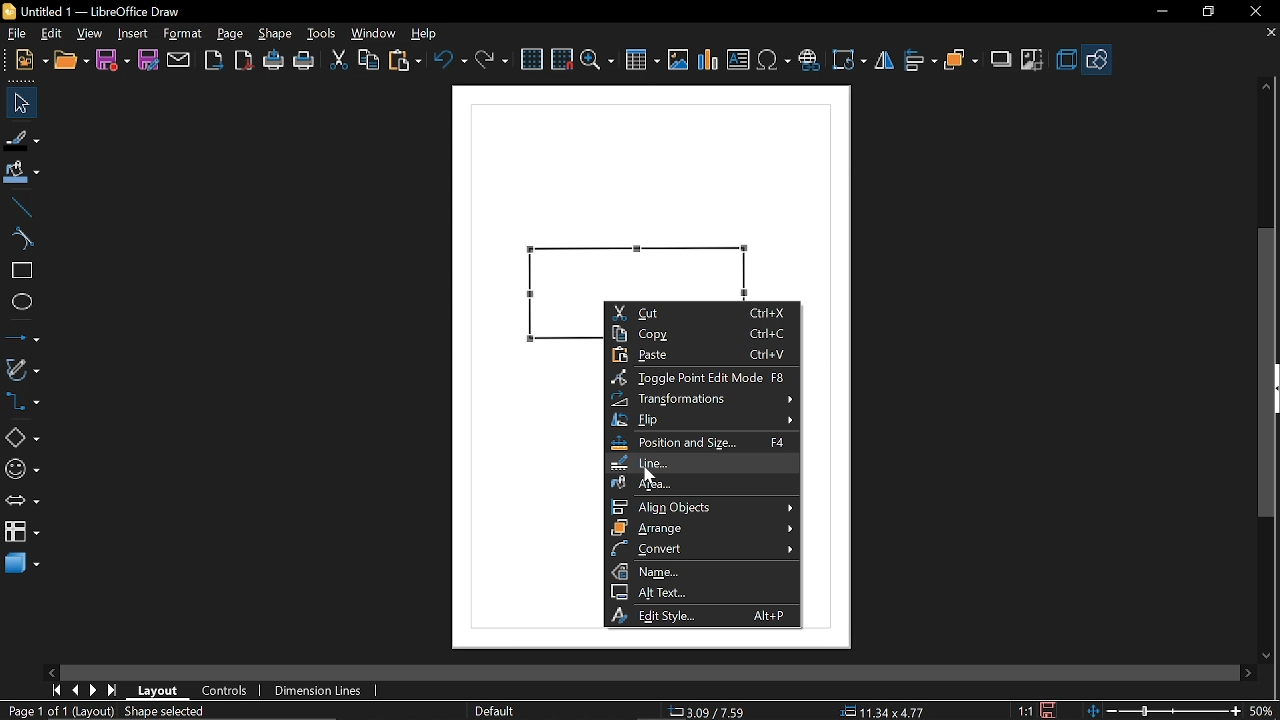 Image resolution: width=1280 pixels, height=720 pixels. I want to click on (Layout) Shape selected, so click(142, 711).